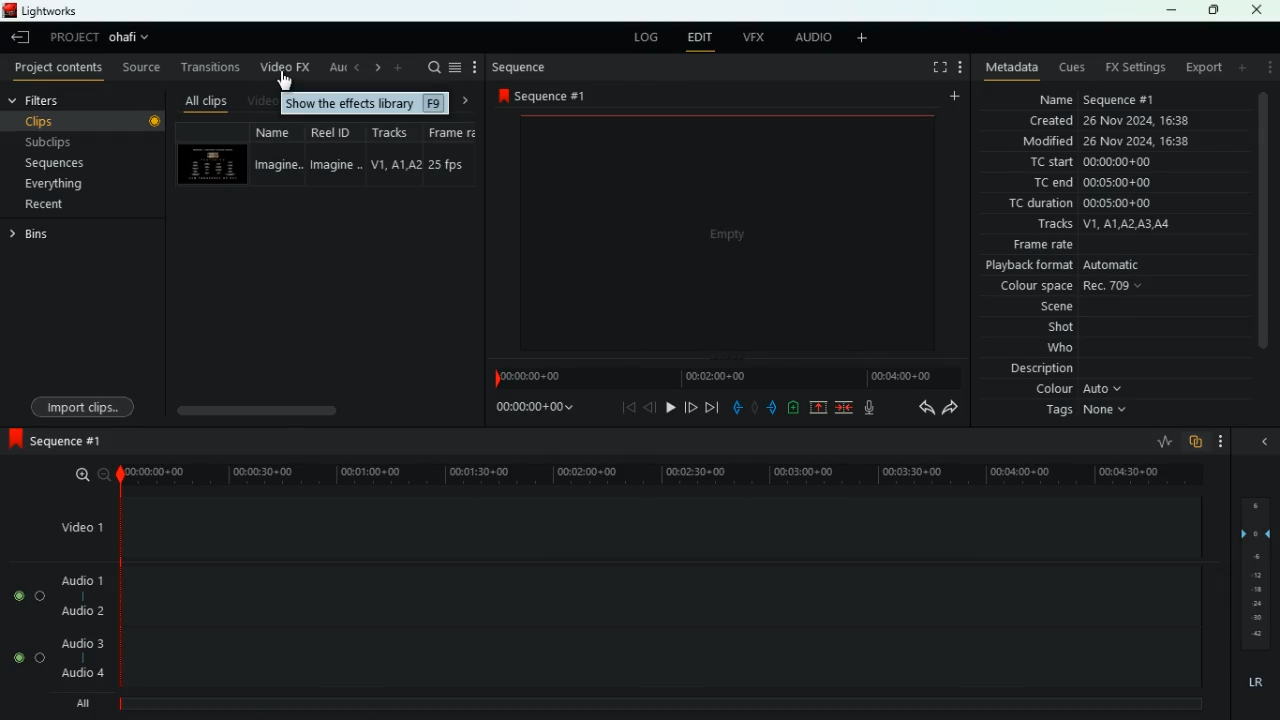 Image resolution: width=1280 pixels, height=720 pixels. Describe the element at coordinates (688, 406) in the screenshot. I see `advance` at that location.